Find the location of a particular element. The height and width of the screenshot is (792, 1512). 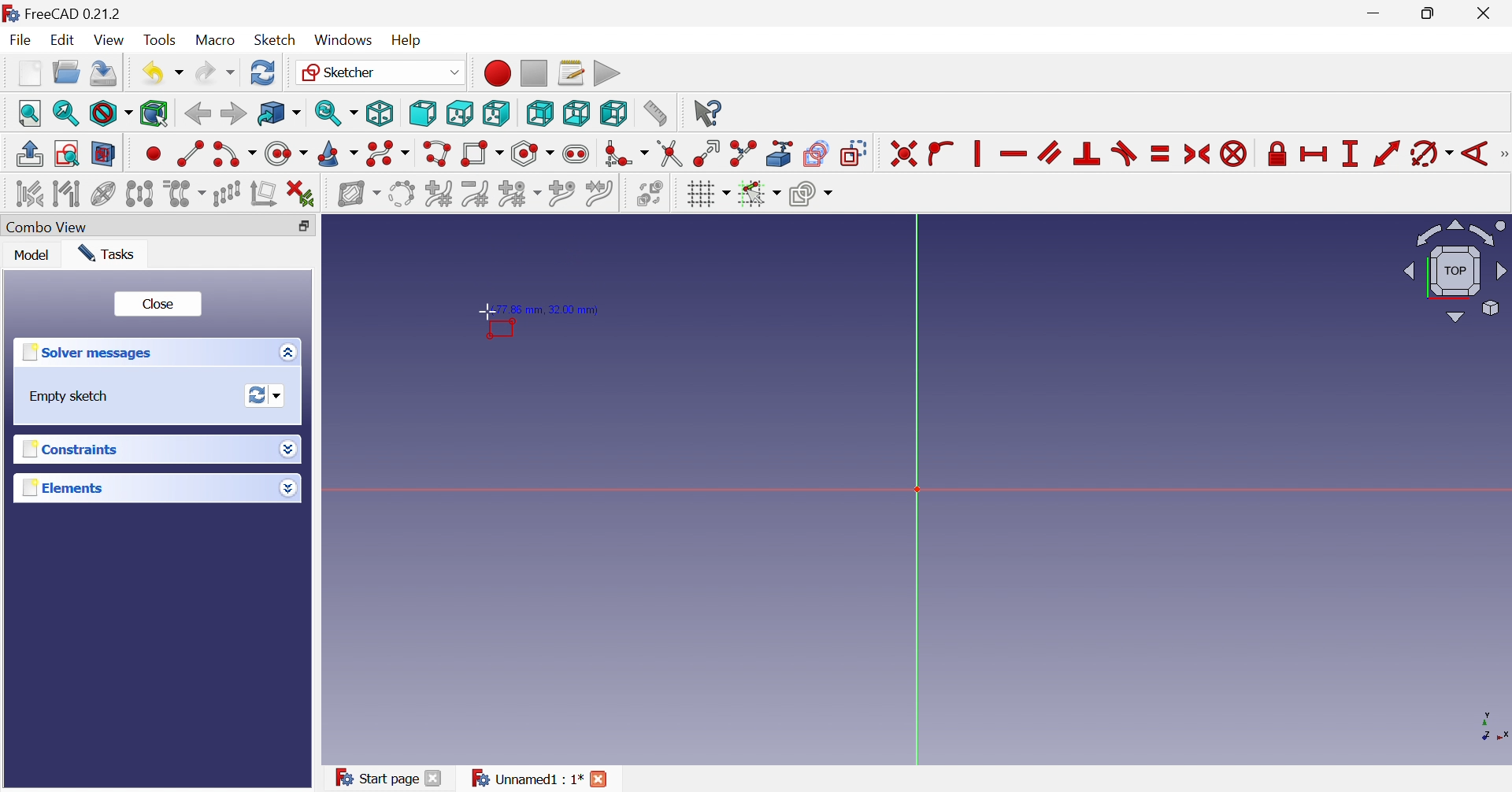

Restore Down is located at coordinates (1432, 15).